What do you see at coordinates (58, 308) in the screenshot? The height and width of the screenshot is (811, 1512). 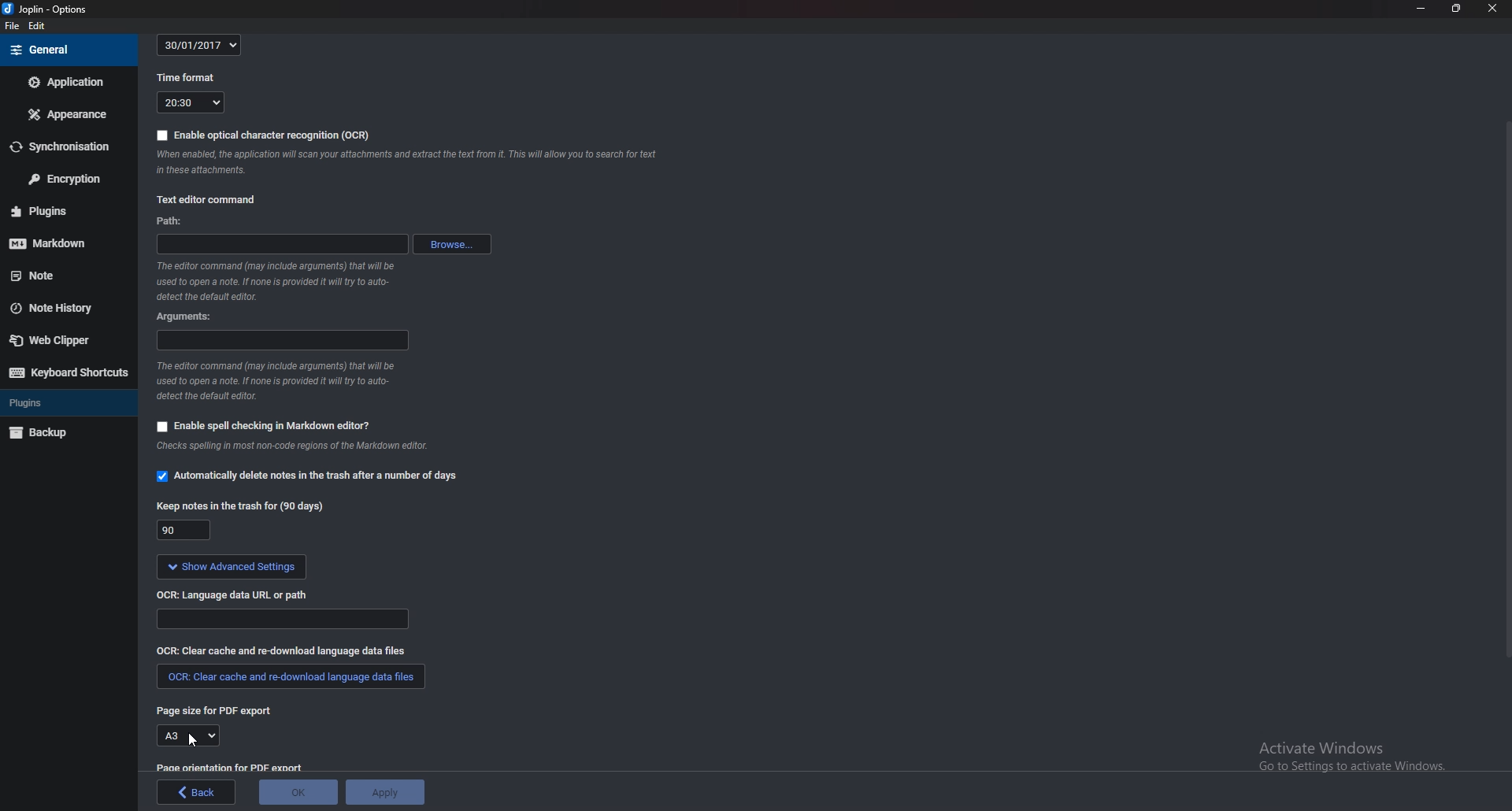 I see `Note history` at bounding box center [58, 308].